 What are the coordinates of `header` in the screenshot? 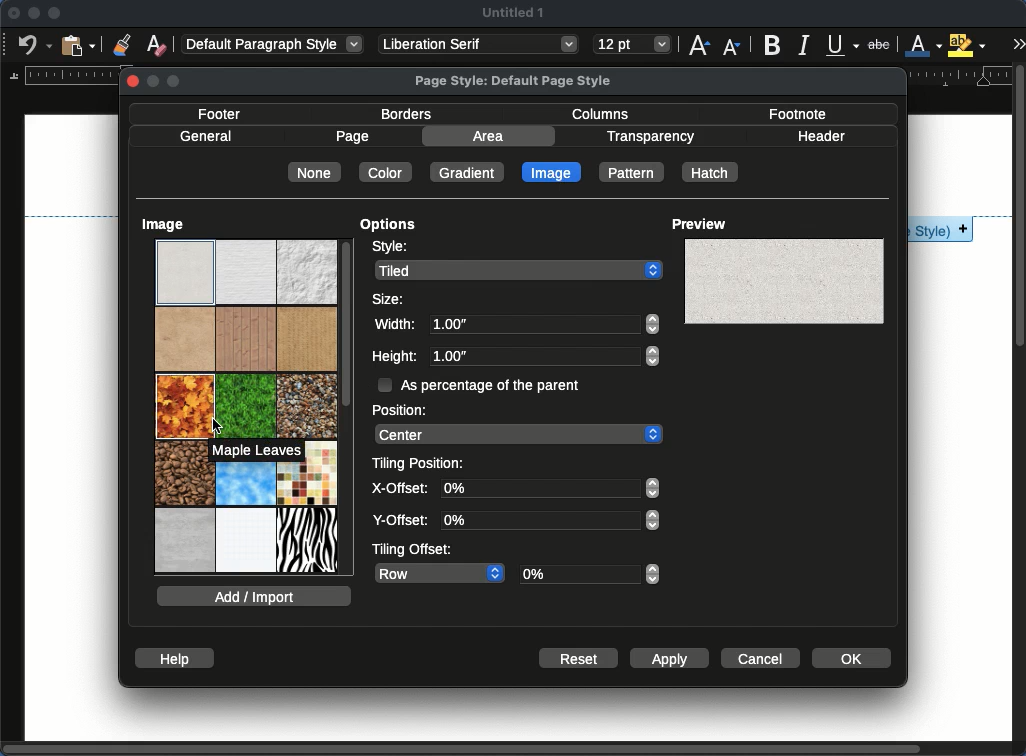 It's located at (821, 136).